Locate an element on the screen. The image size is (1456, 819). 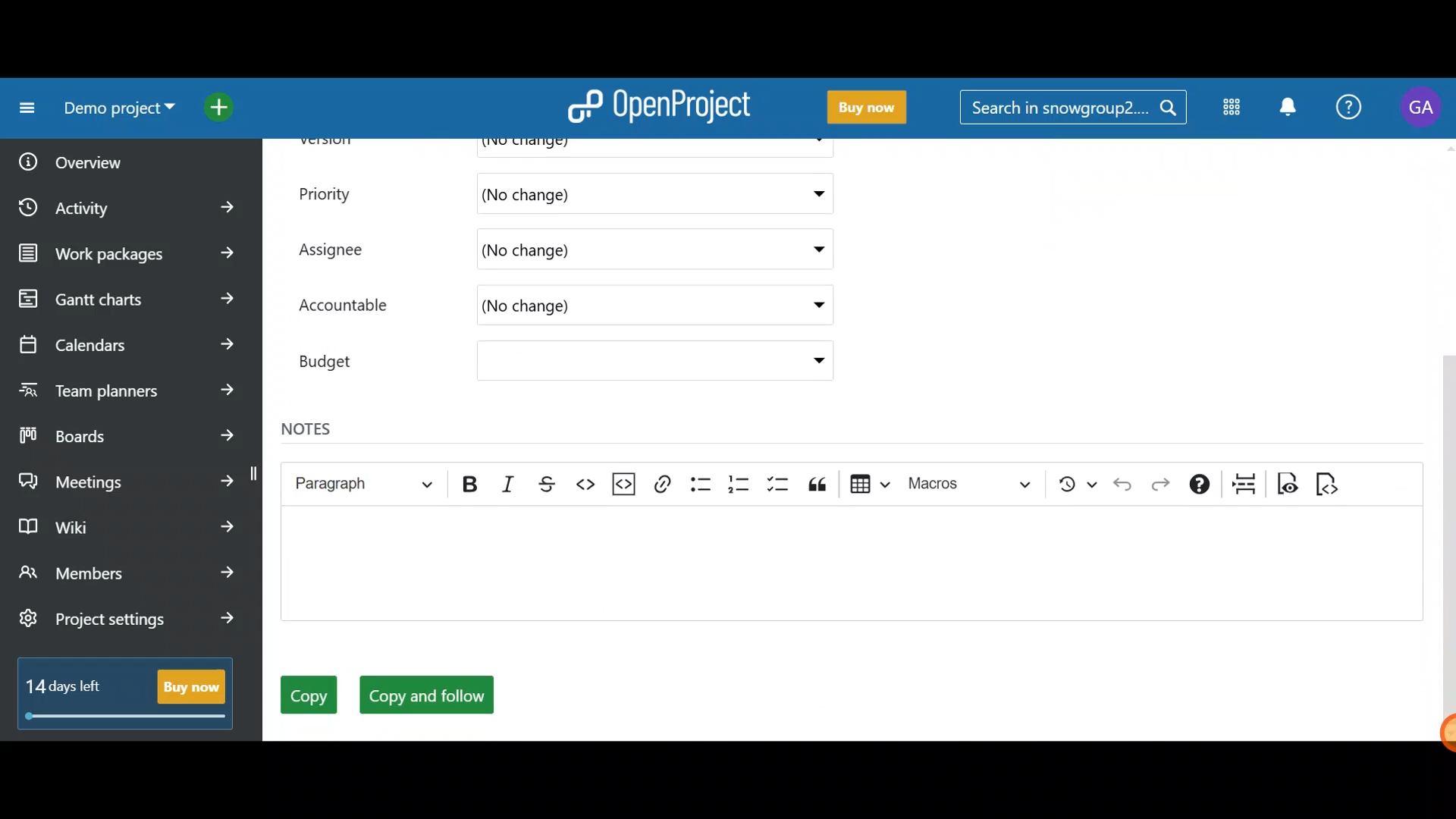
Budget is located at coordinates (560, 363).